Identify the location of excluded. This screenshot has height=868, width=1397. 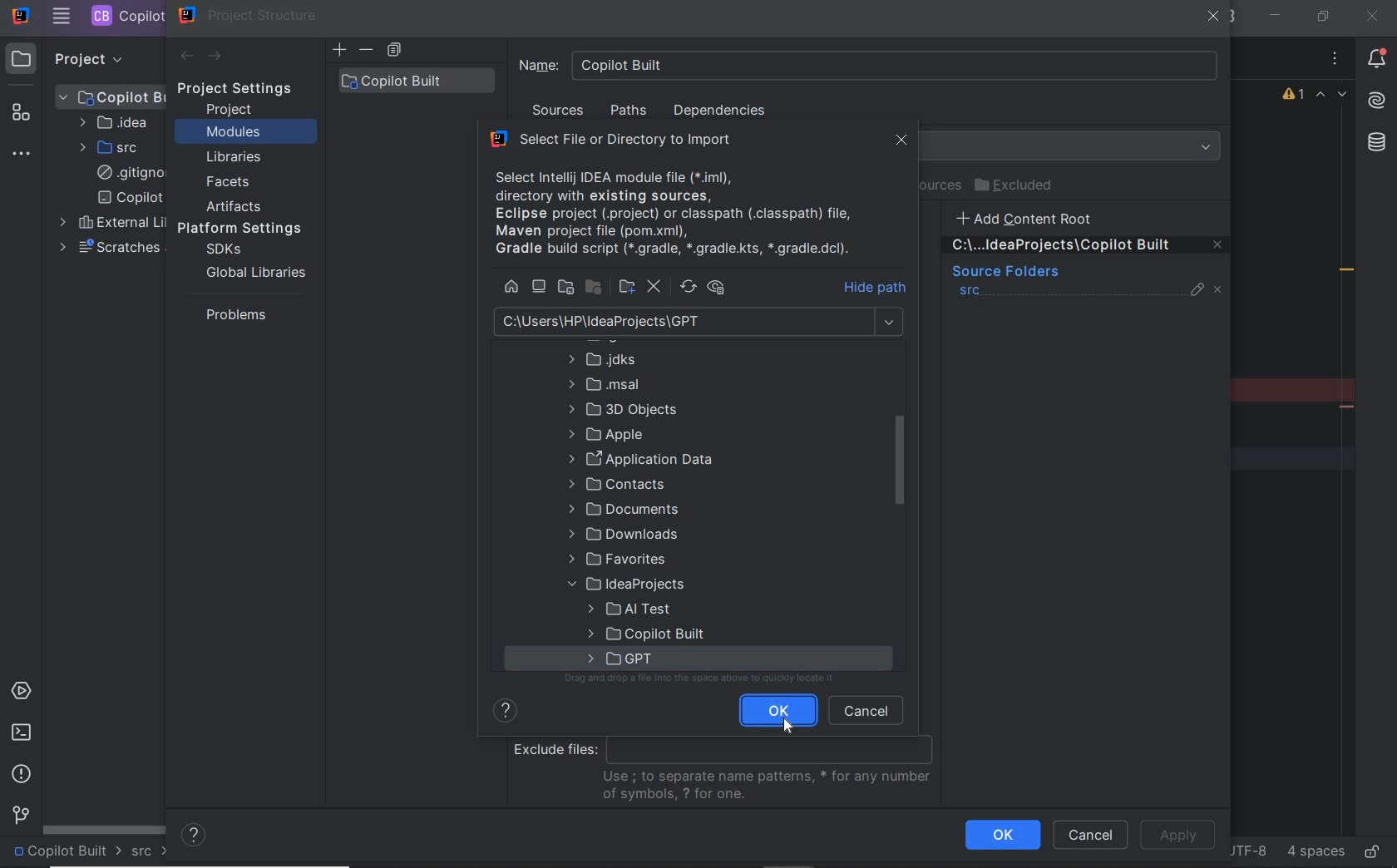
(1017, 185).